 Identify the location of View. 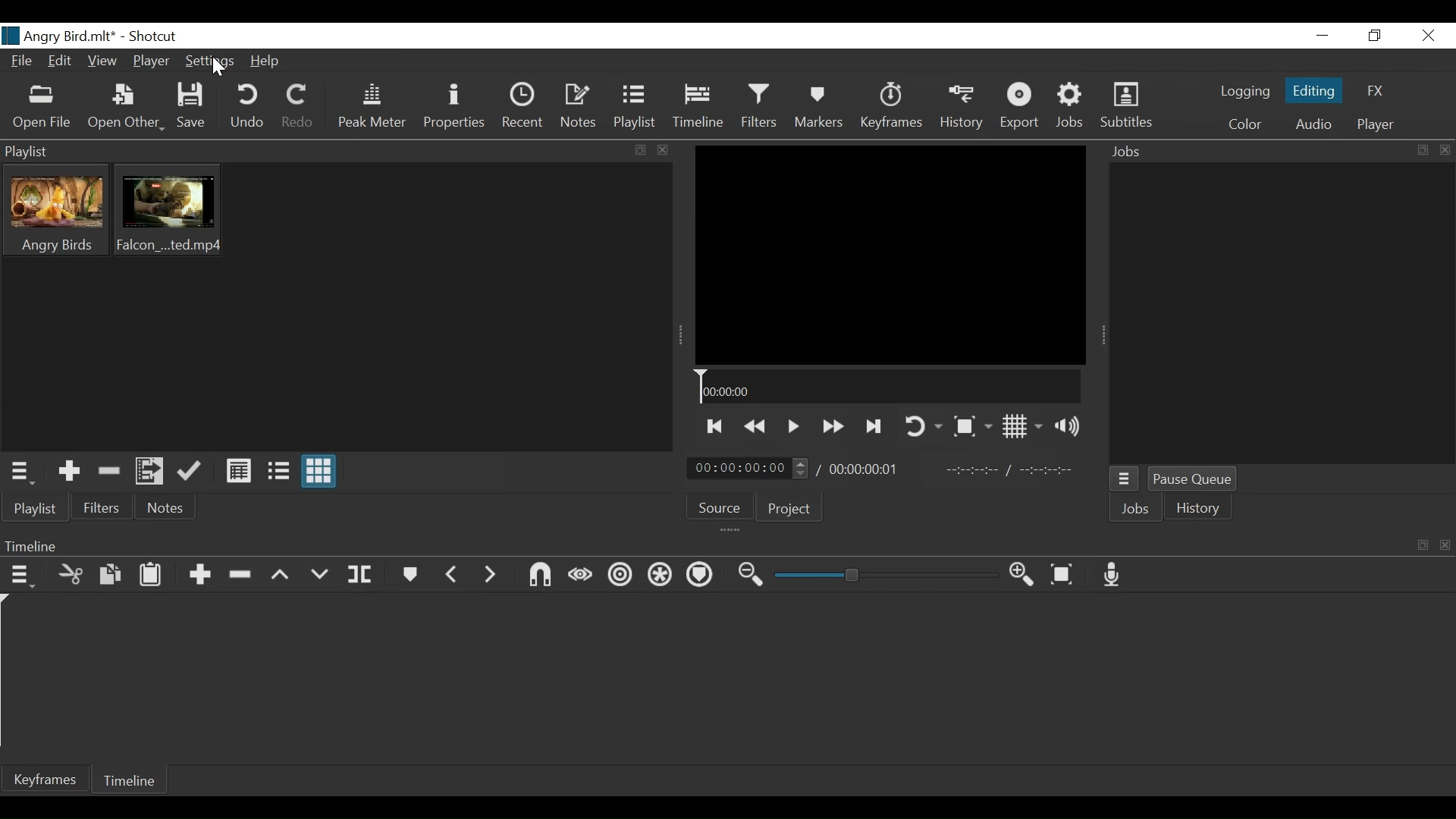
(104, 60).